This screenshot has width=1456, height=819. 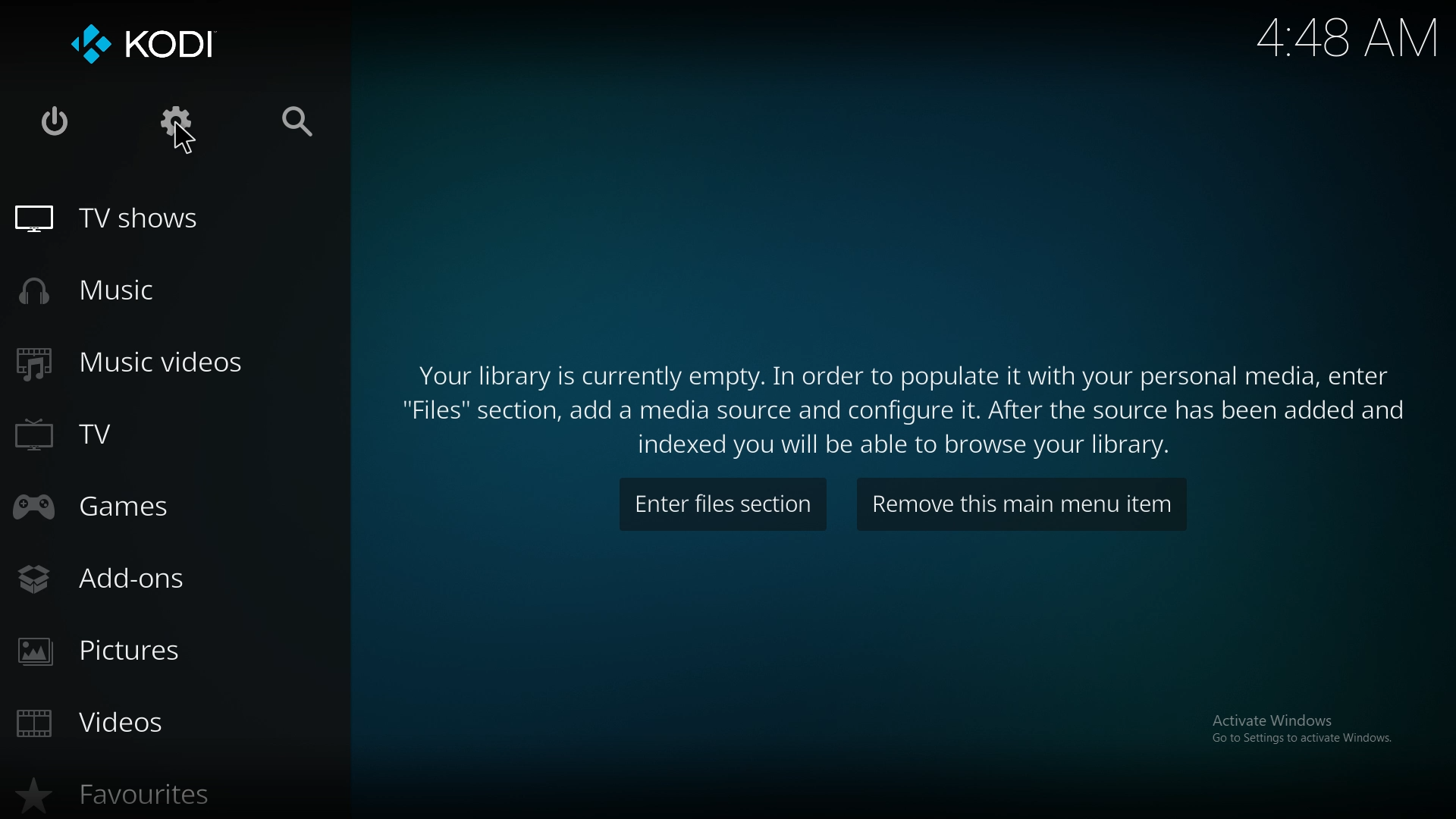 What do you see at coordinates (178, 124) in the screenshot?
I see `settings` at bounding box center [178, 124].